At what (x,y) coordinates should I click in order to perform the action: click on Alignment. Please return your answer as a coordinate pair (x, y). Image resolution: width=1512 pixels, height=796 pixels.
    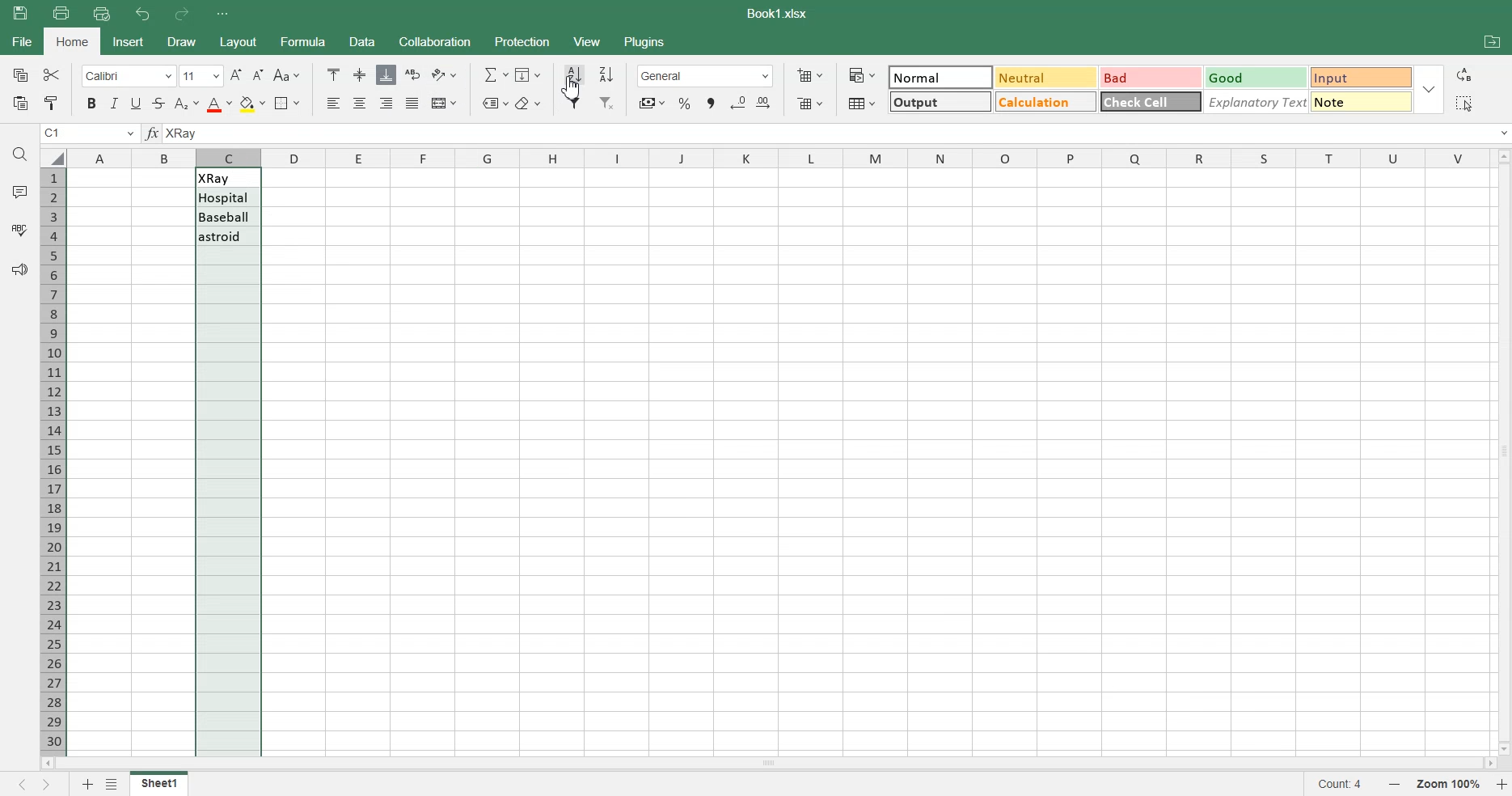
    Looking at the image, I should click on (412, 104).